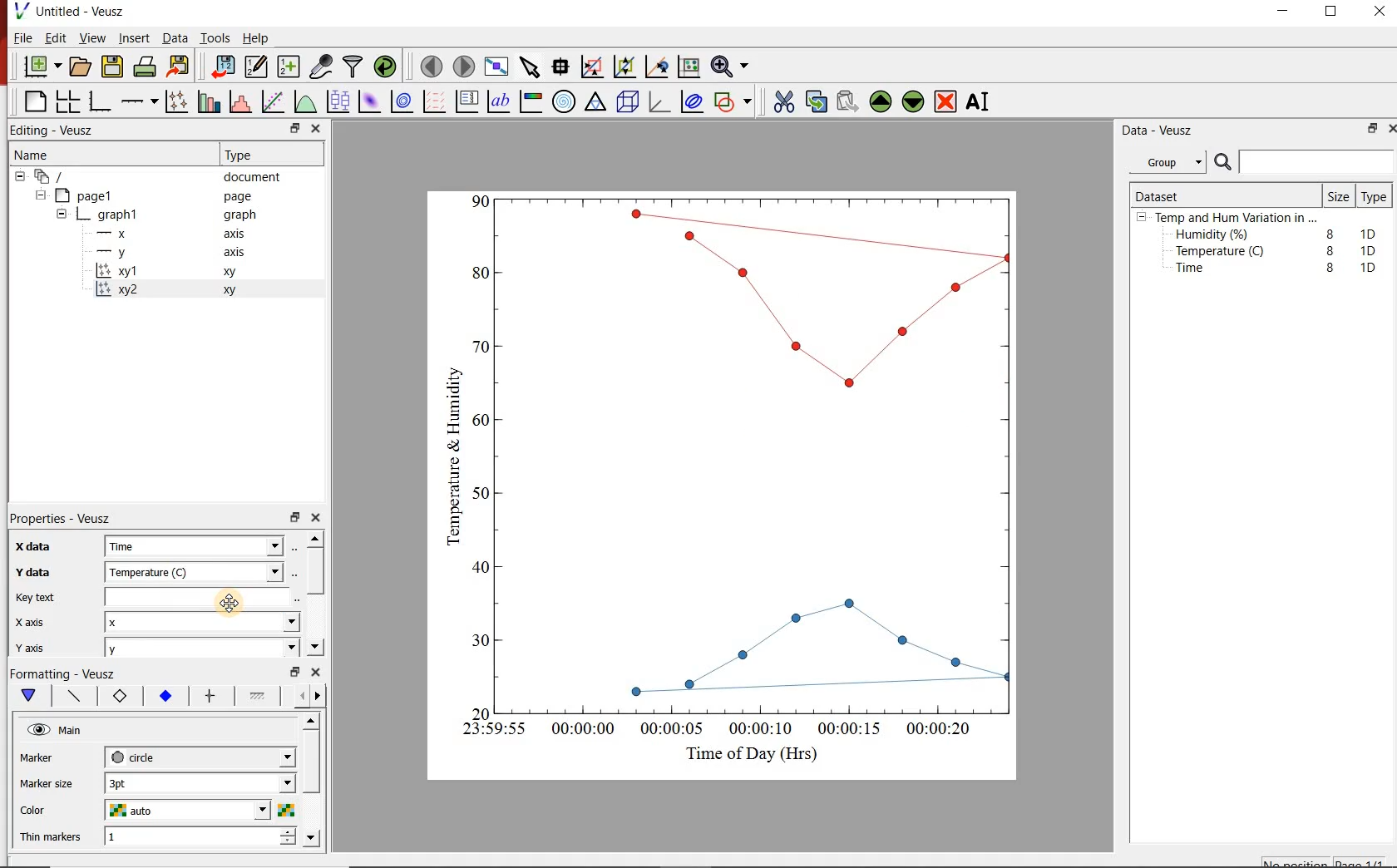 The width and height of the screenshot is (1397, 868). I want to click on 3d graph, so click(662, 104).